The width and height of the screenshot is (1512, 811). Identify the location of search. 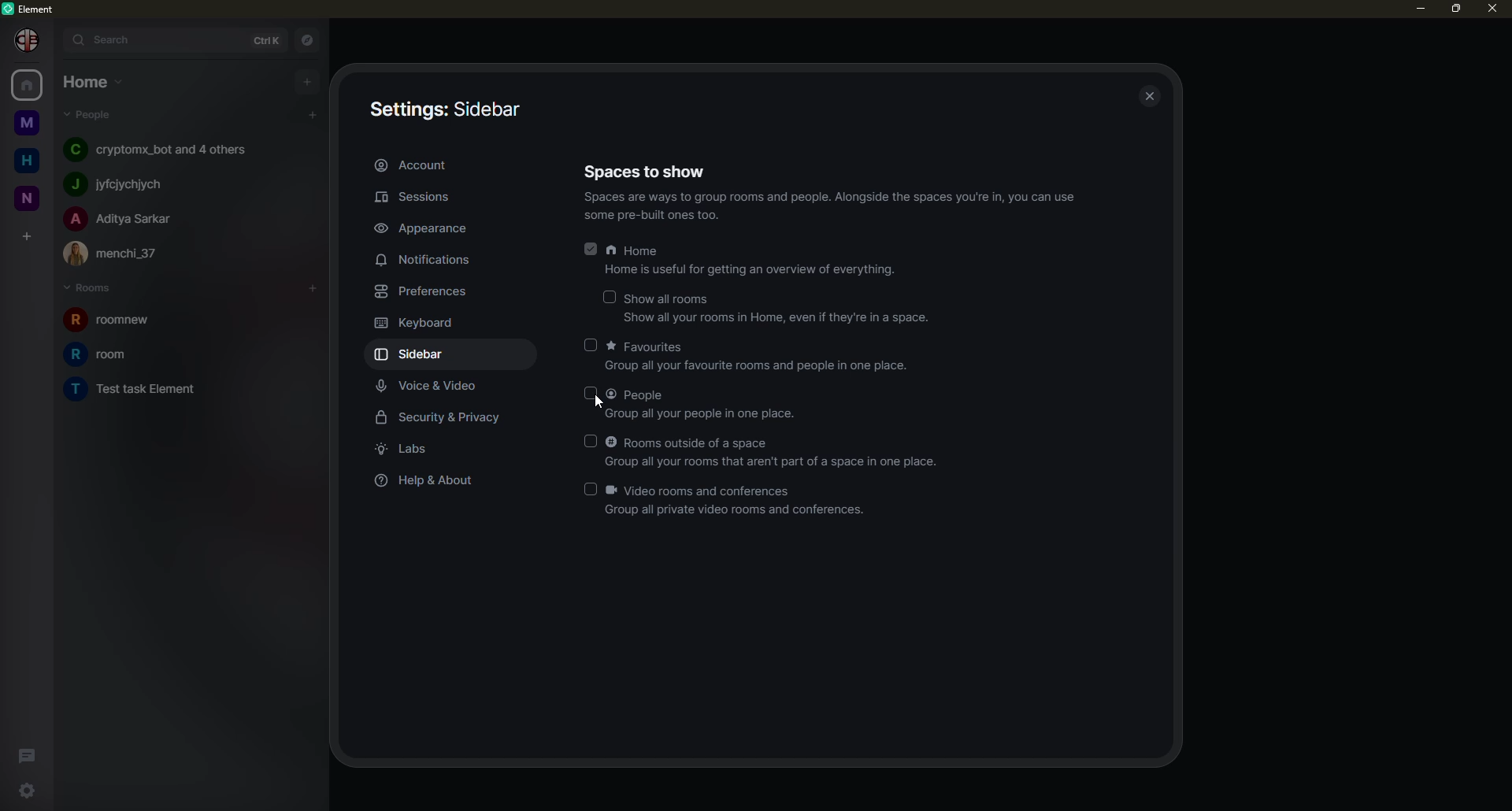
(105, 39).